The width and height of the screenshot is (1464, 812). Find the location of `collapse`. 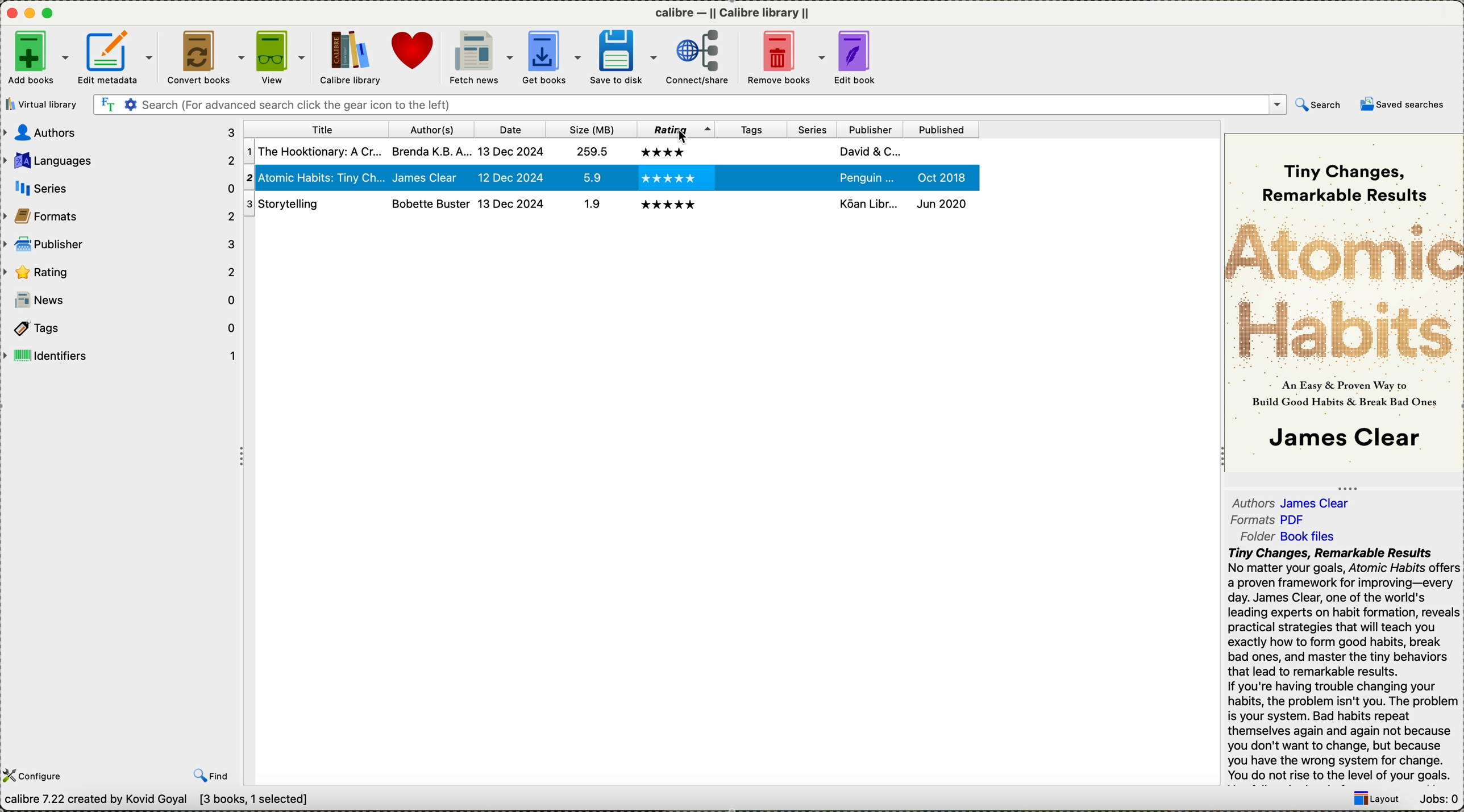

collapse is located at coordinates (1345, 486).